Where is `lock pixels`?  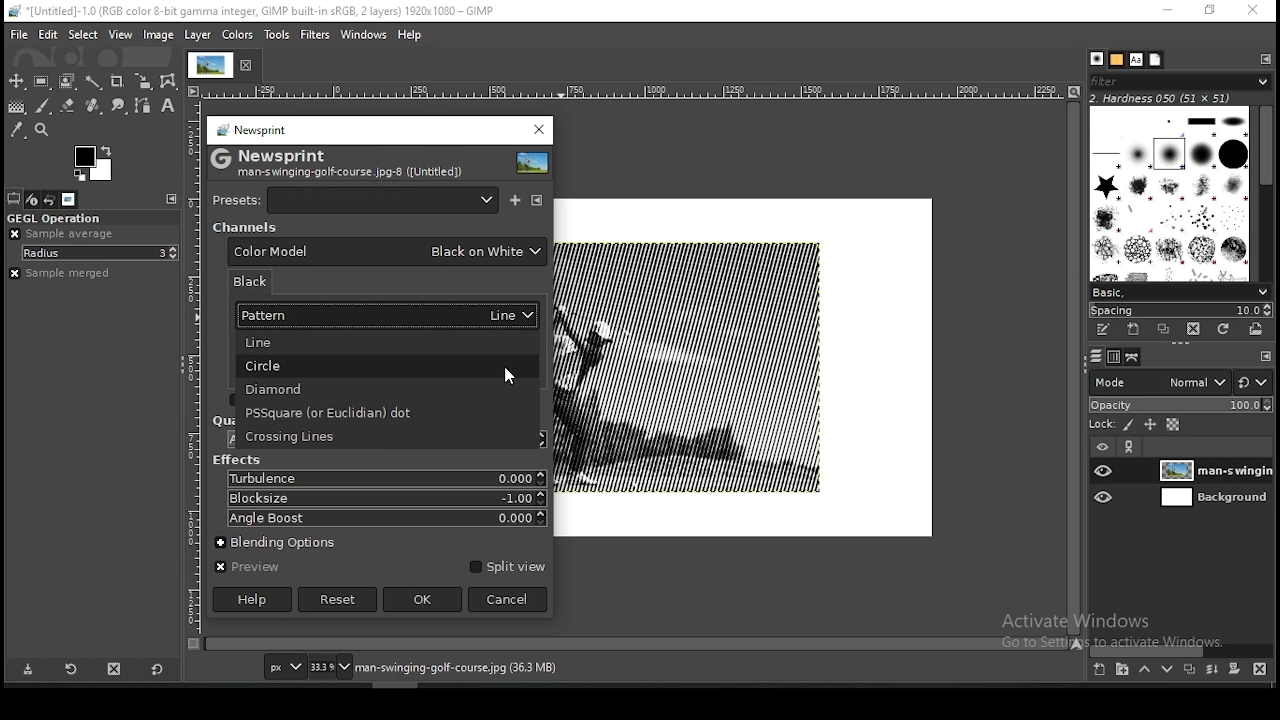
lock pixels is located at coordinates (1126, 425).